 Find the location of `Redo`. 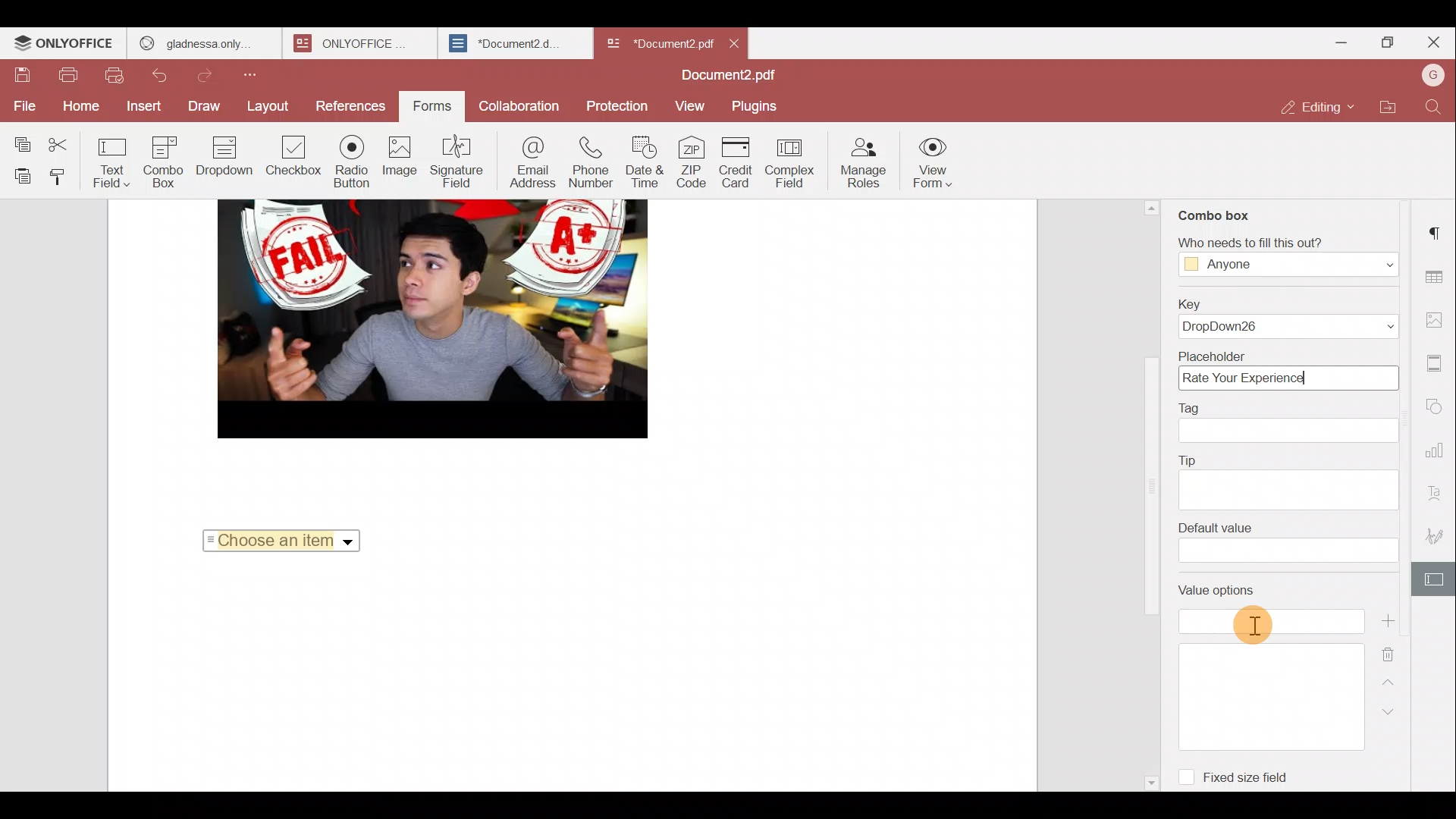

Redo is located at coordinates (212, 76).